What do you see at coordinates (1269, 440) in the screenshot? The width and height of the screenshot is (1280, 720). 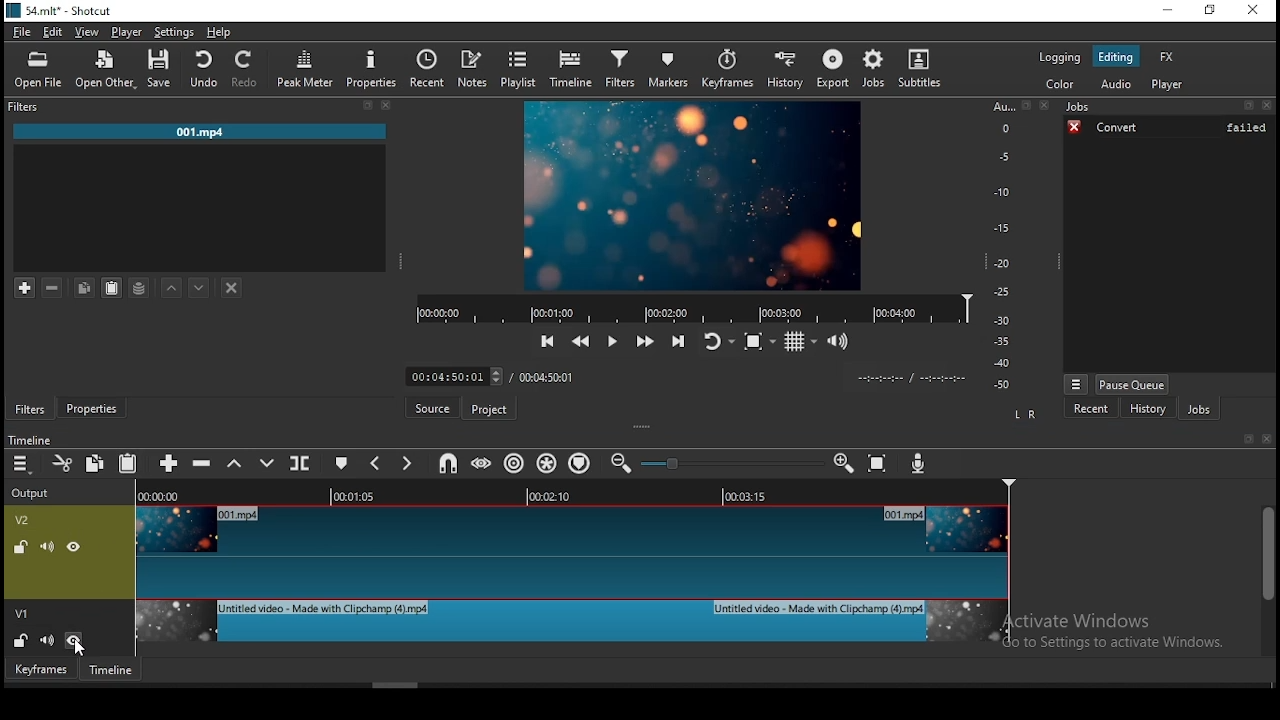 I see `close` at bounding box center [1269, 440].